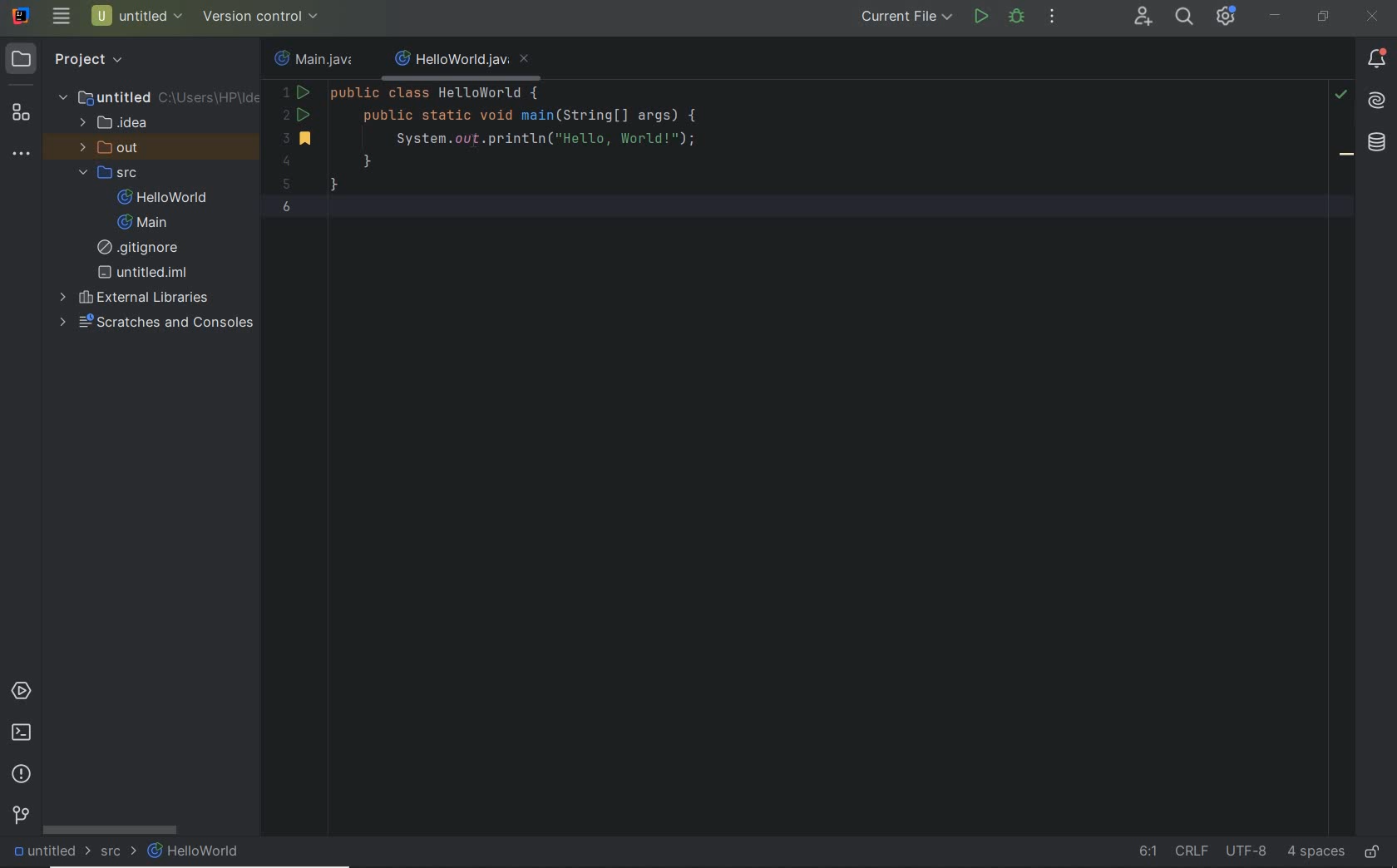  I want to click on version control, so click(22, 815).